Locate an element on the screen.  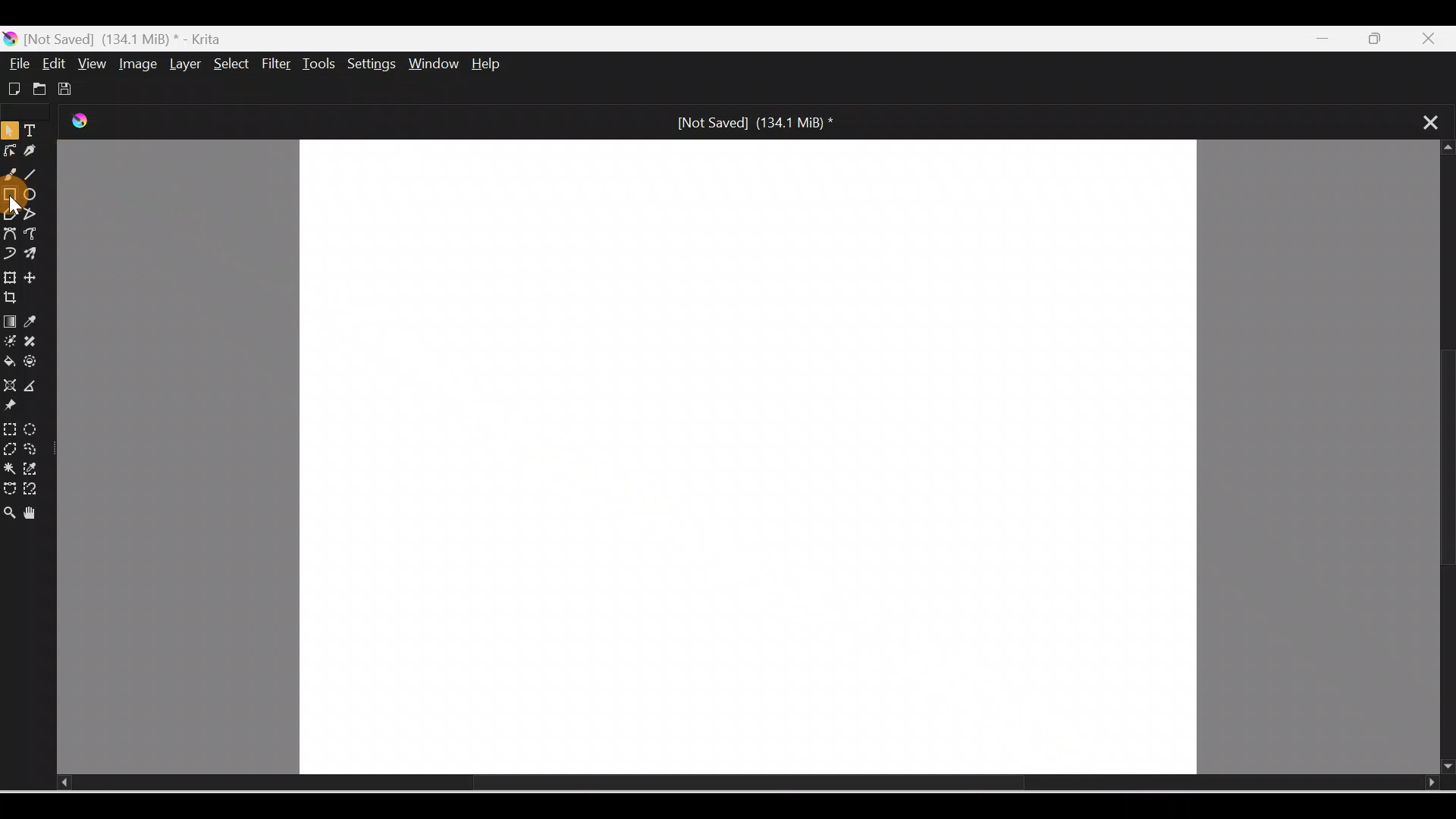
Open existing document is located at coordinates (37, 89).